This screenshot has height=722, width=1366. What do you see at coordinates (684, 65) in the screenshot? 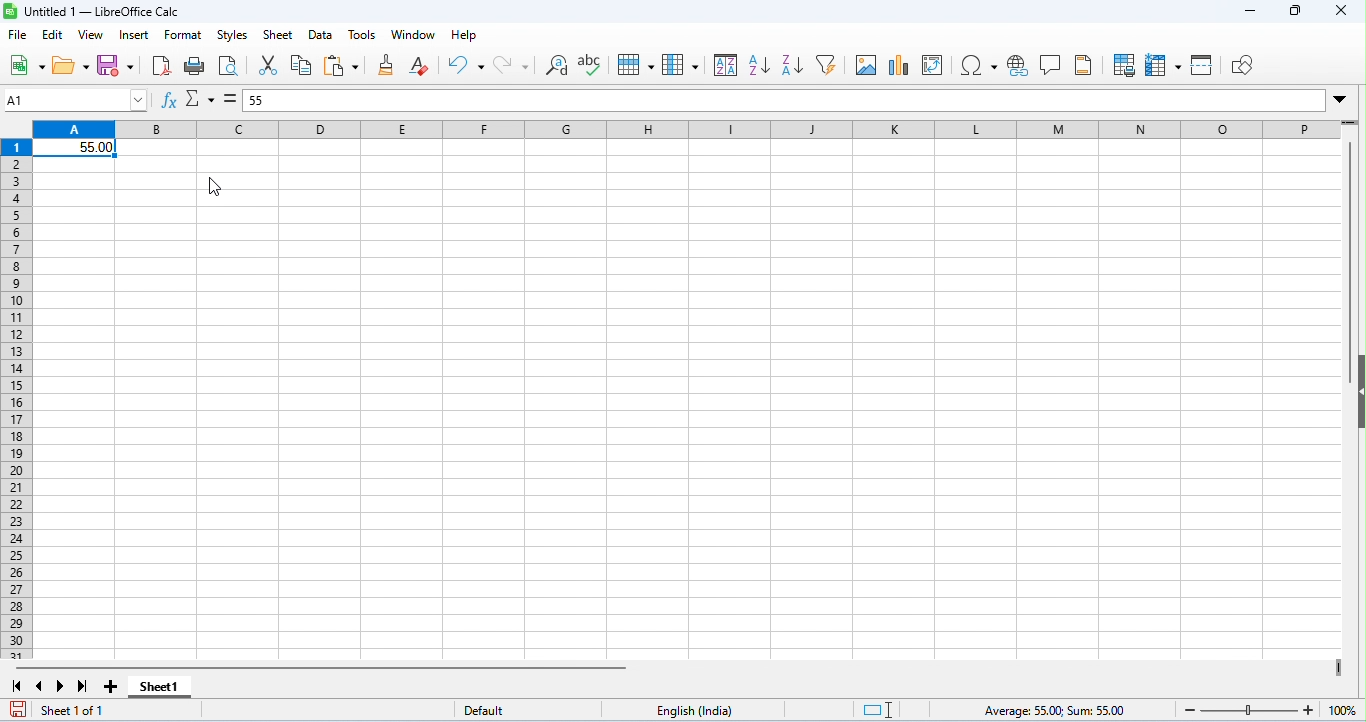
I see `column` at bounding box center [684, 65].